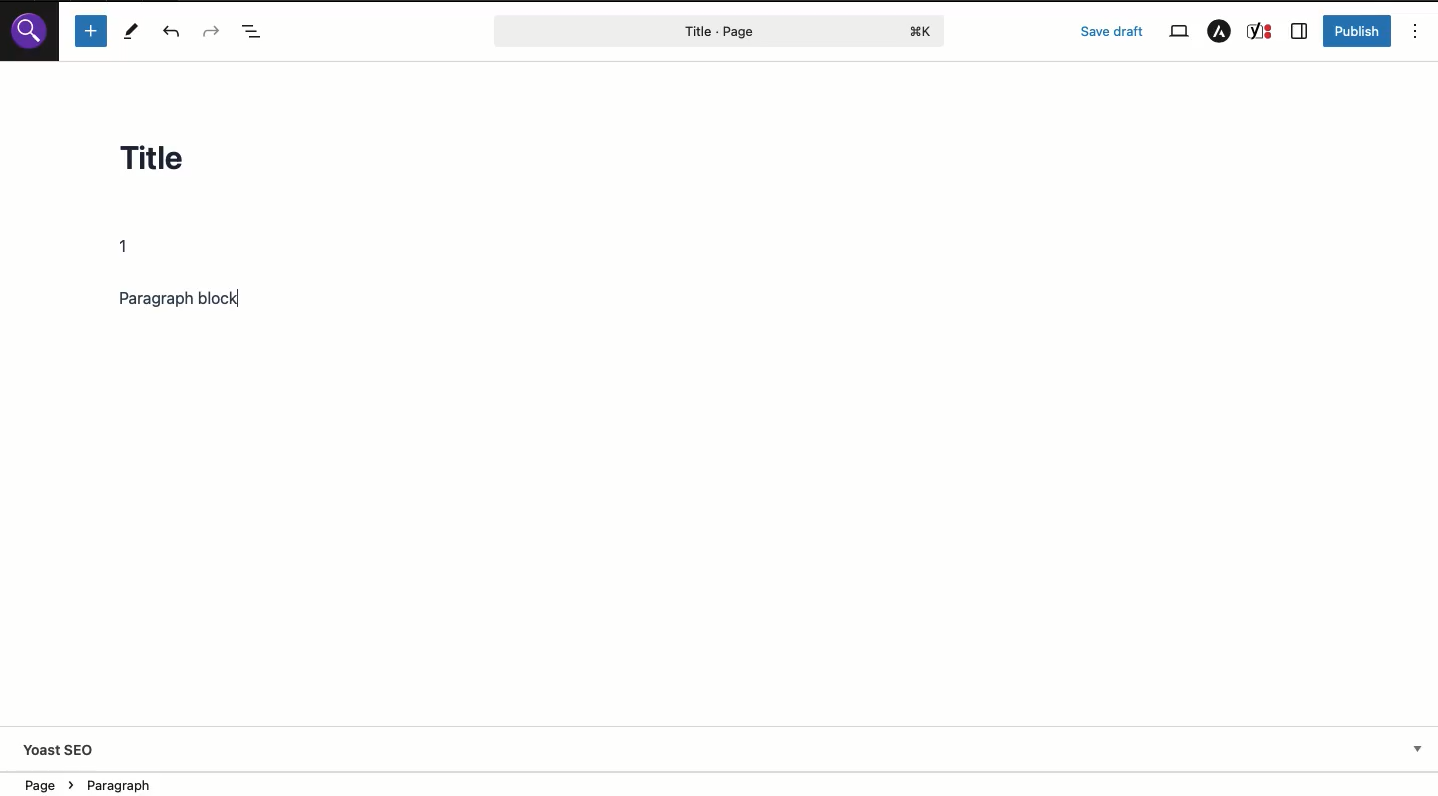 This screenshot has width=1438, height=796. Describe the element at coordinates (1219, 32) in the screenshot. I see `Astar` at that location.